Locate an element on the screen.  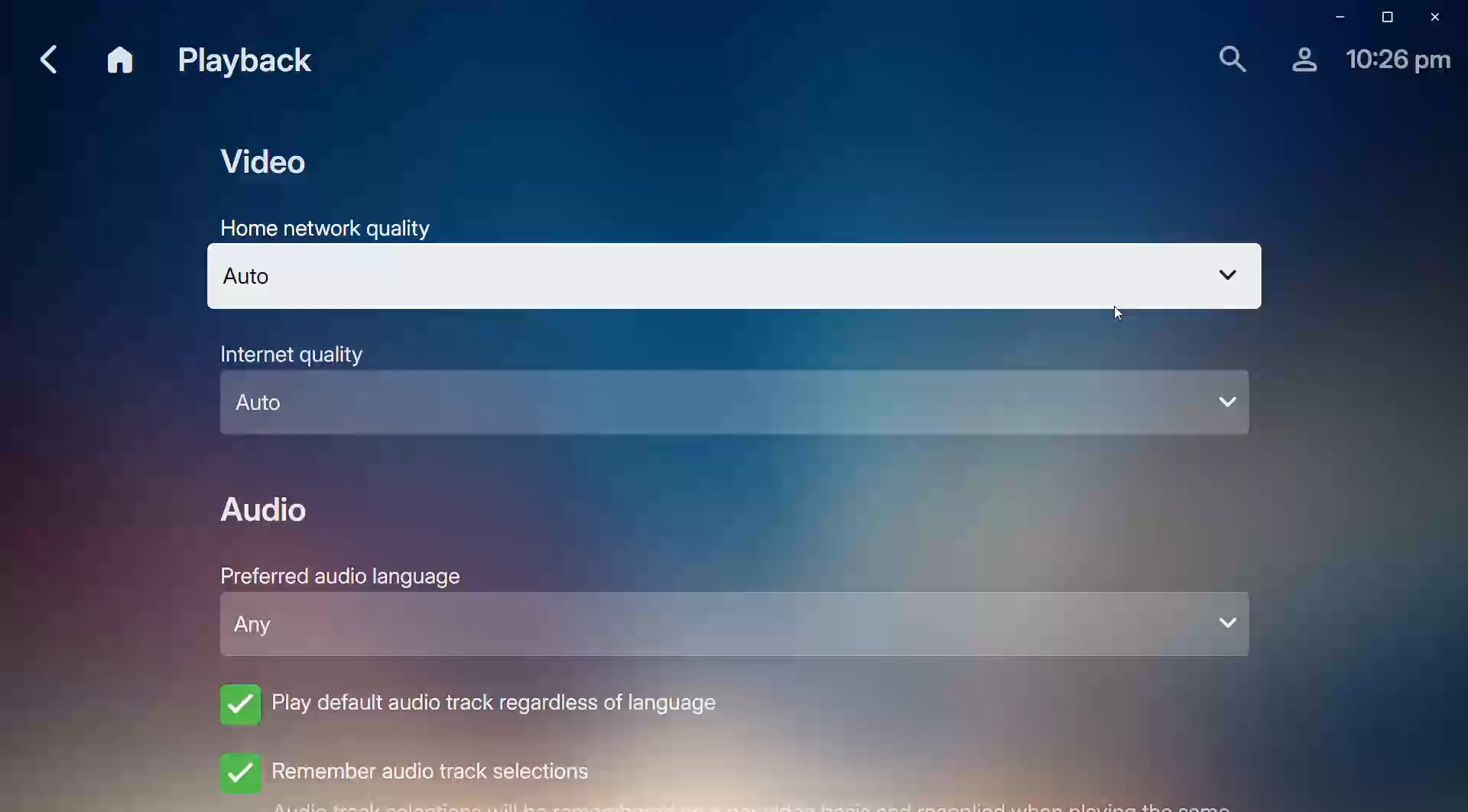
Back is located at coordinates (44, 60).